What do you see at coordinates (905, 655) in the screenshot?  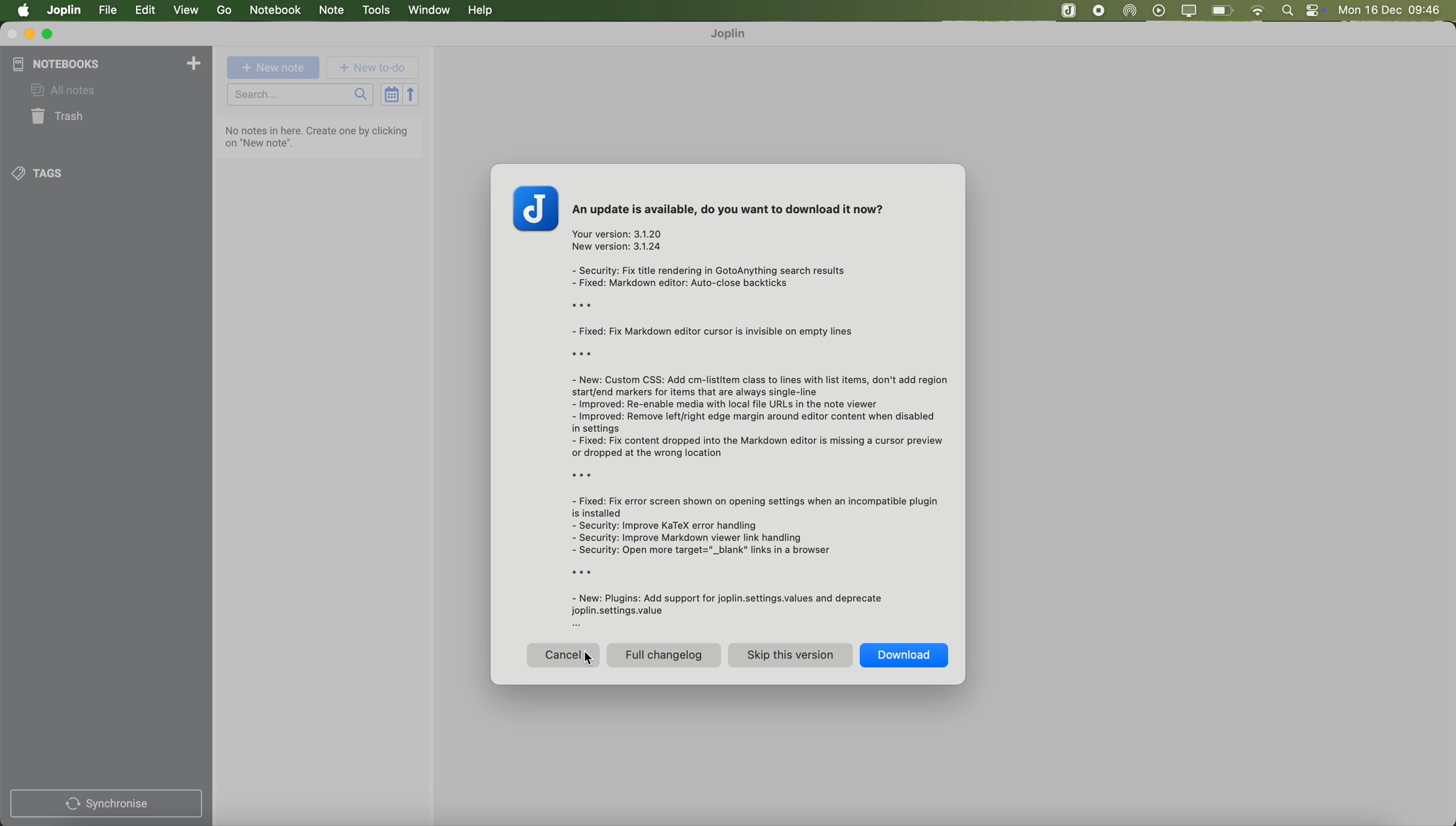 I see `download` at bounding box center [905, 655].